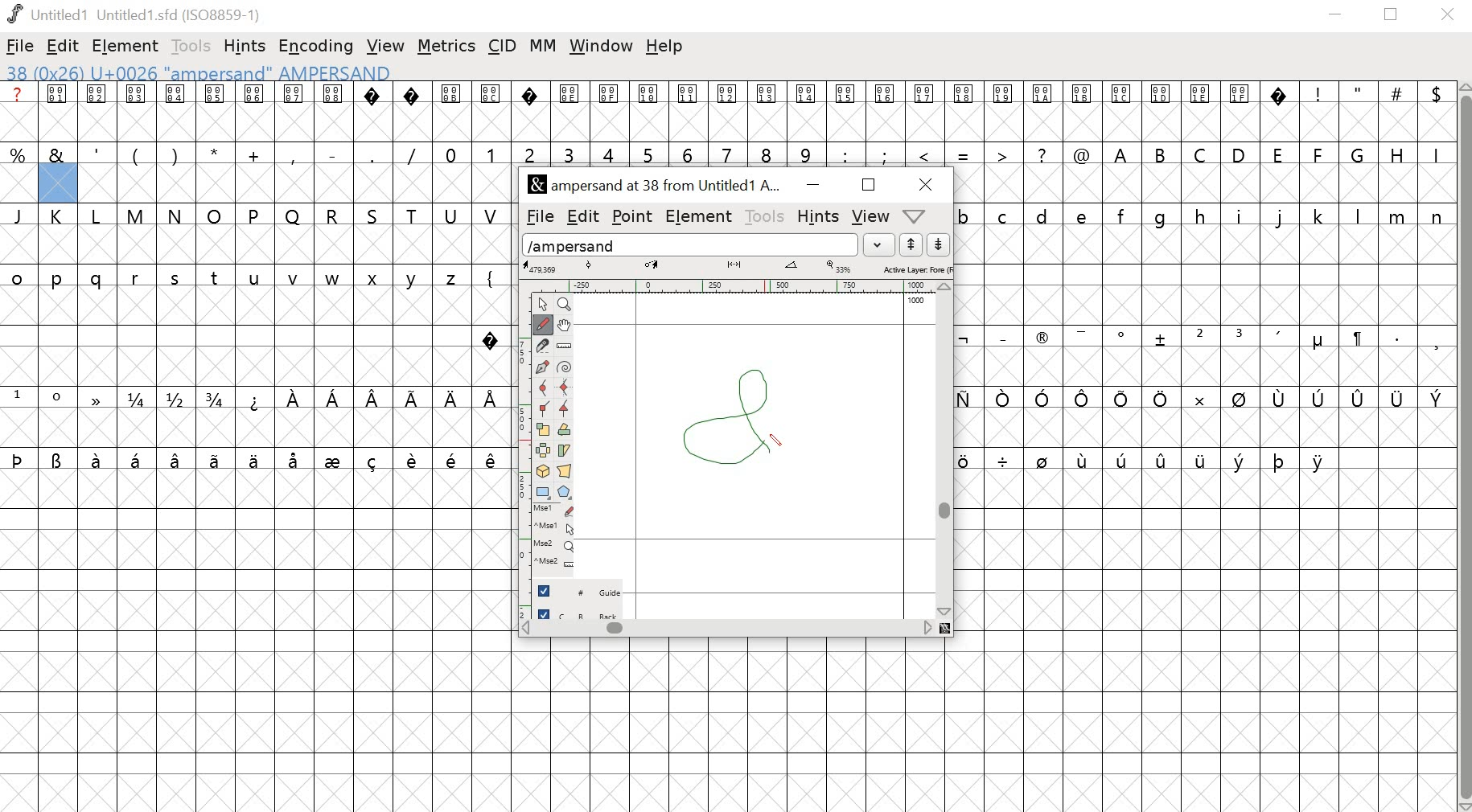 This screenshot has height=812, width=1472. I want to click on 3, so click(569, 153).